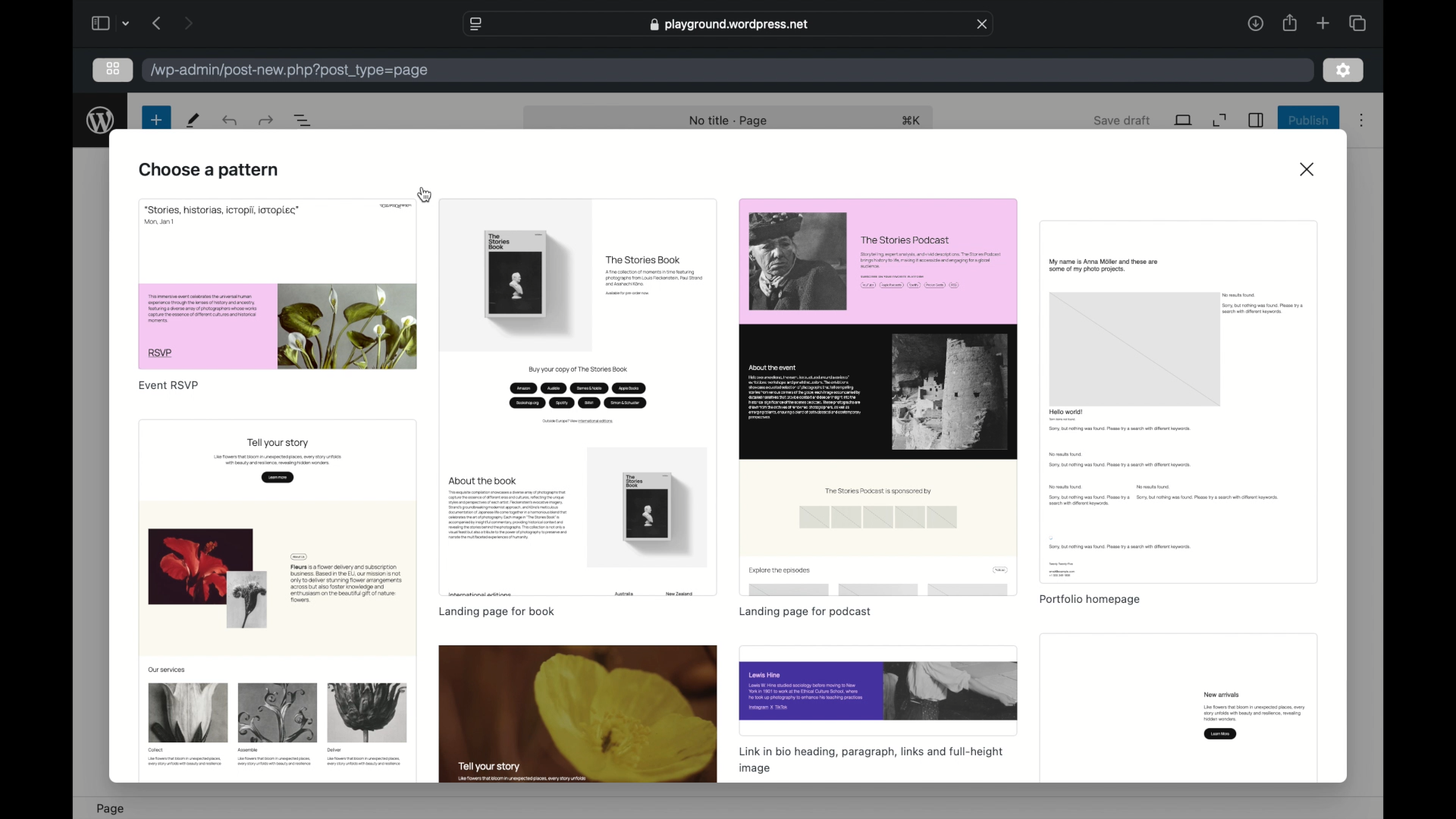 The width and height of the screenshot is (1456, 819). What do you see at coordinates (730, 121) in the screenshot?
I see `nob title - page` at bounding box center [730, 121].